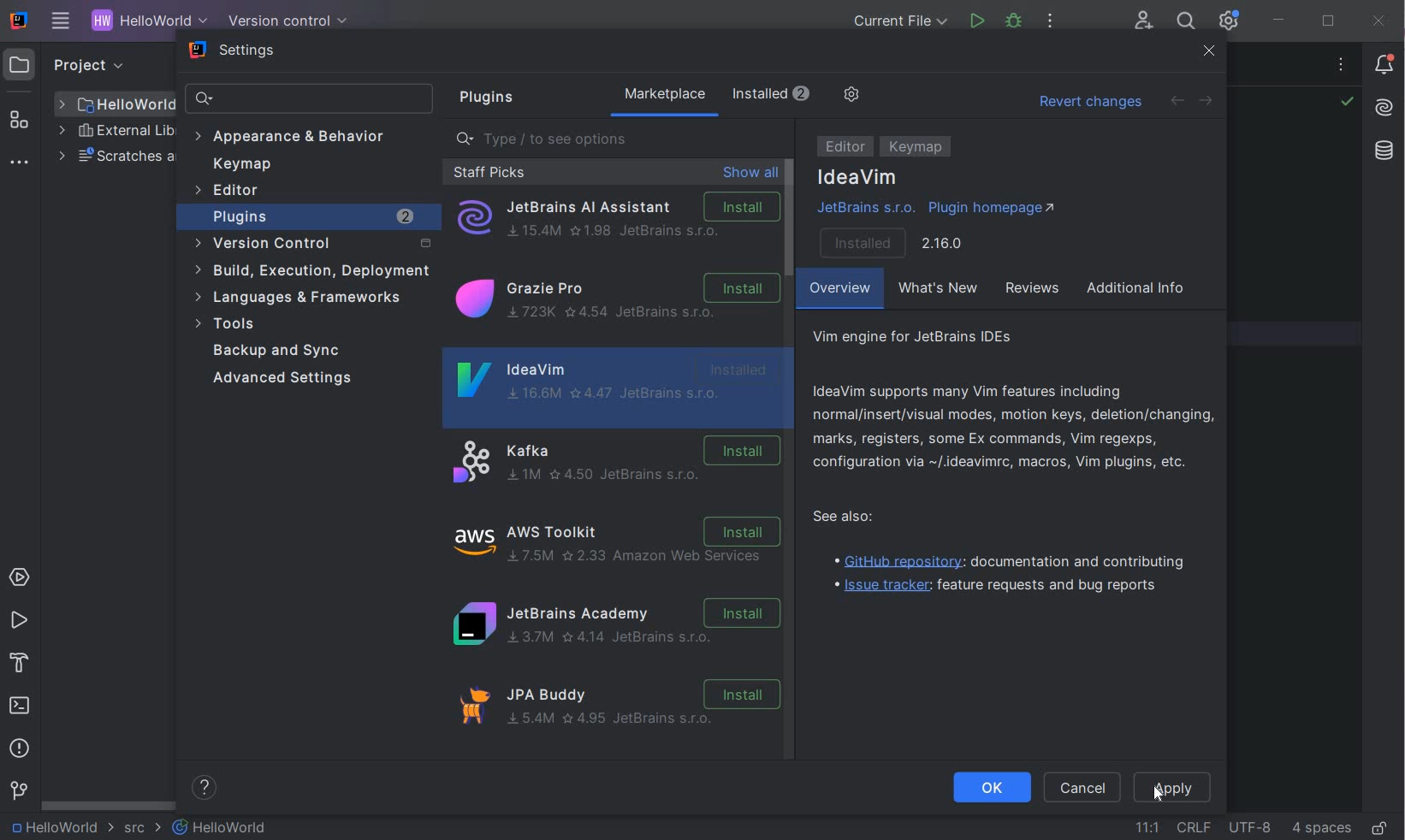 Image resolution: width=1405 pixels, height=840 pixels. Describe the element at coordinates (750, 174) in the screenshot. I see `show all` at that location.